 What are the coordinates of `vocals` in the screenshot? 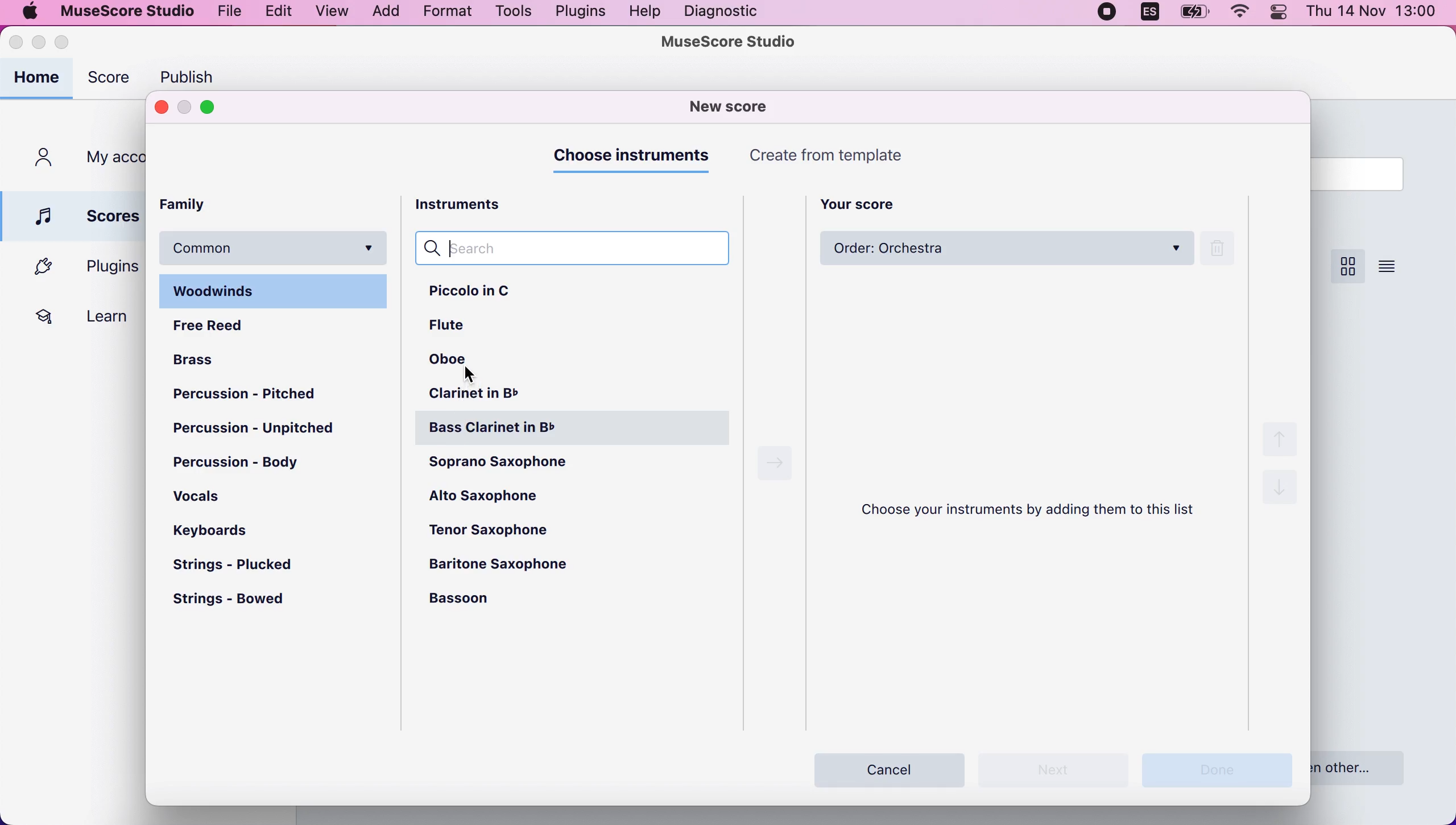 It's located at (200, 495).